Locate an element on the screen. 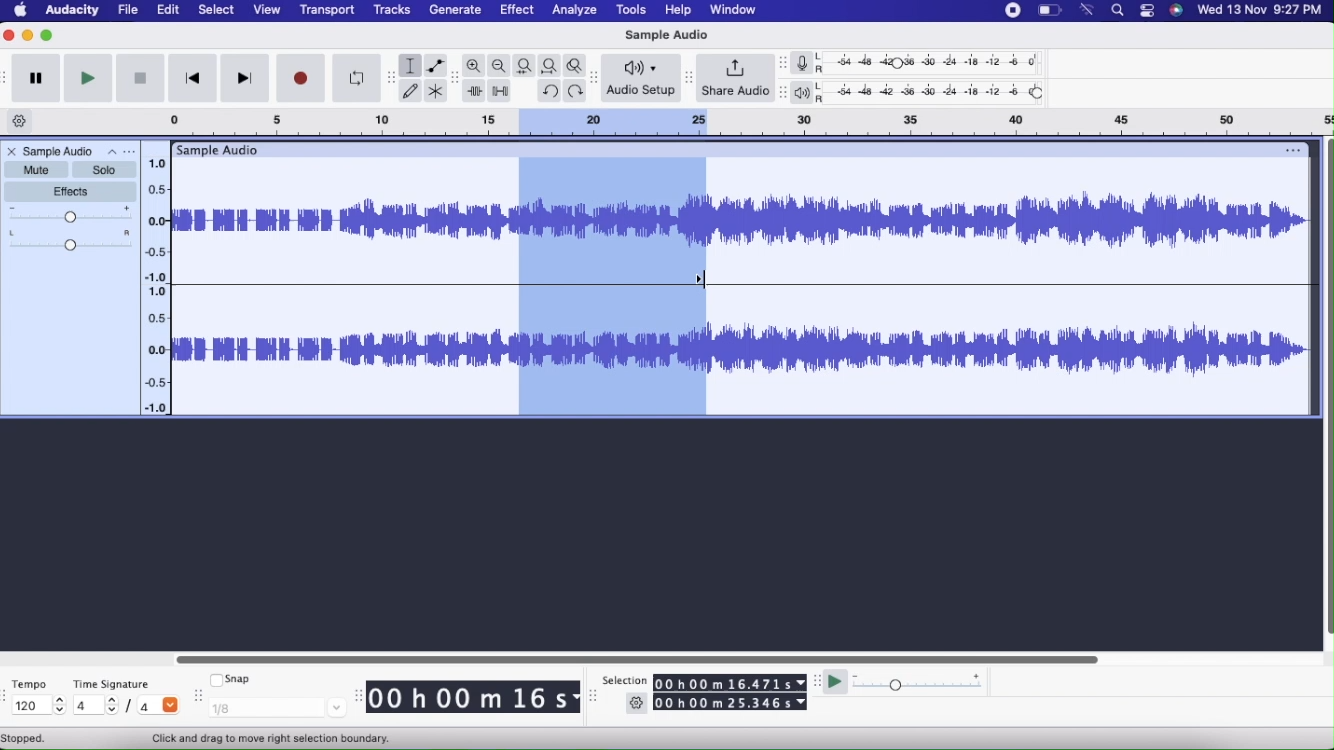  Time signature is located at coordinates (118, 680).